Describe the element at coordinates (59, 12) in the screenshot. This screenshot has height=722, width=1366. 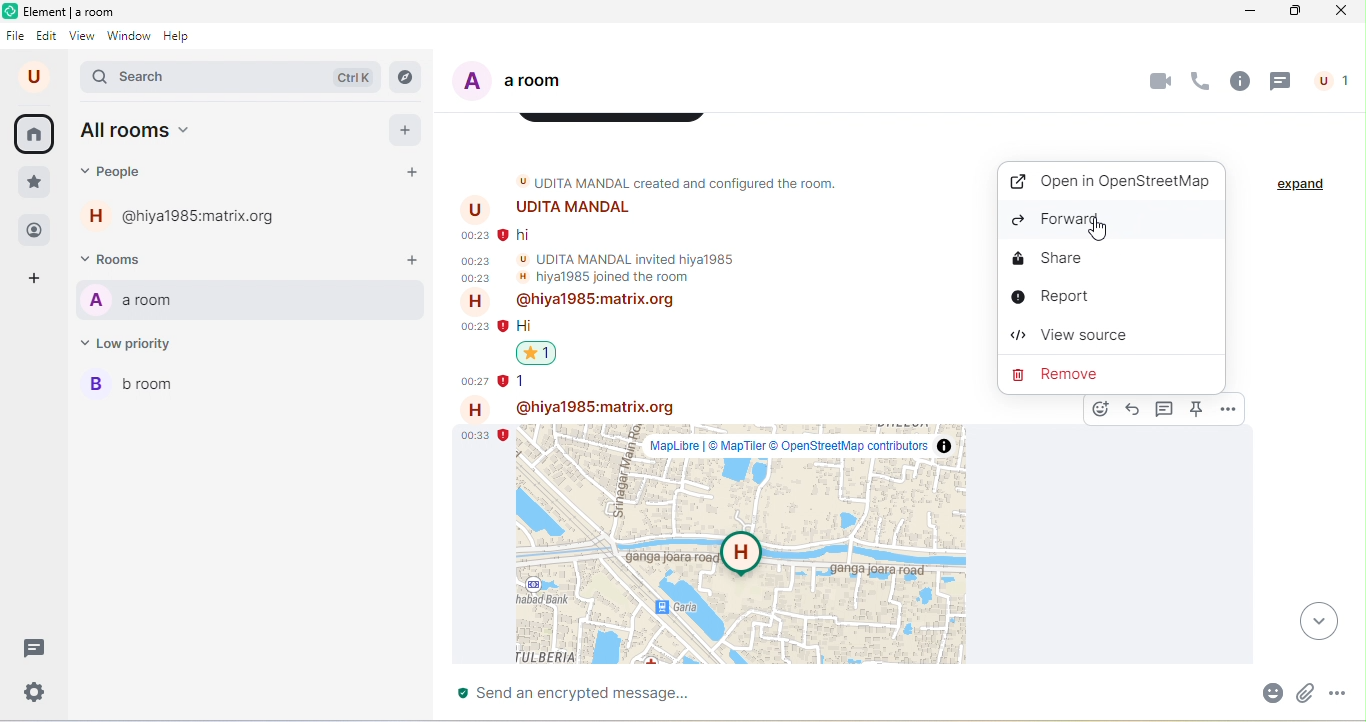
I see `title` at that location.